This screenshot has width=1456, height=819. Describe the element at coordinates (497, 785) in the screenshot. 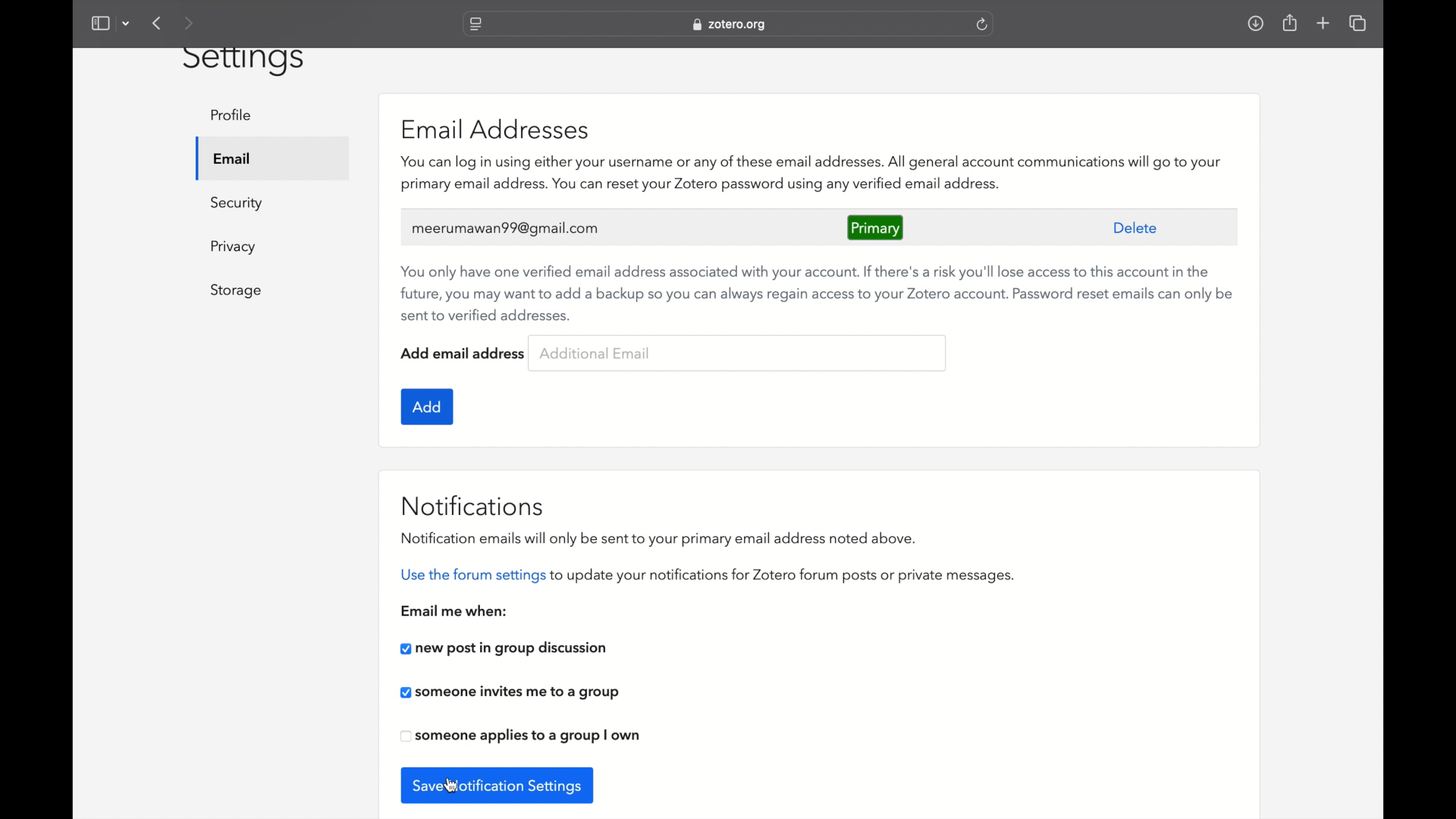

I see `save notification settings` at that location.